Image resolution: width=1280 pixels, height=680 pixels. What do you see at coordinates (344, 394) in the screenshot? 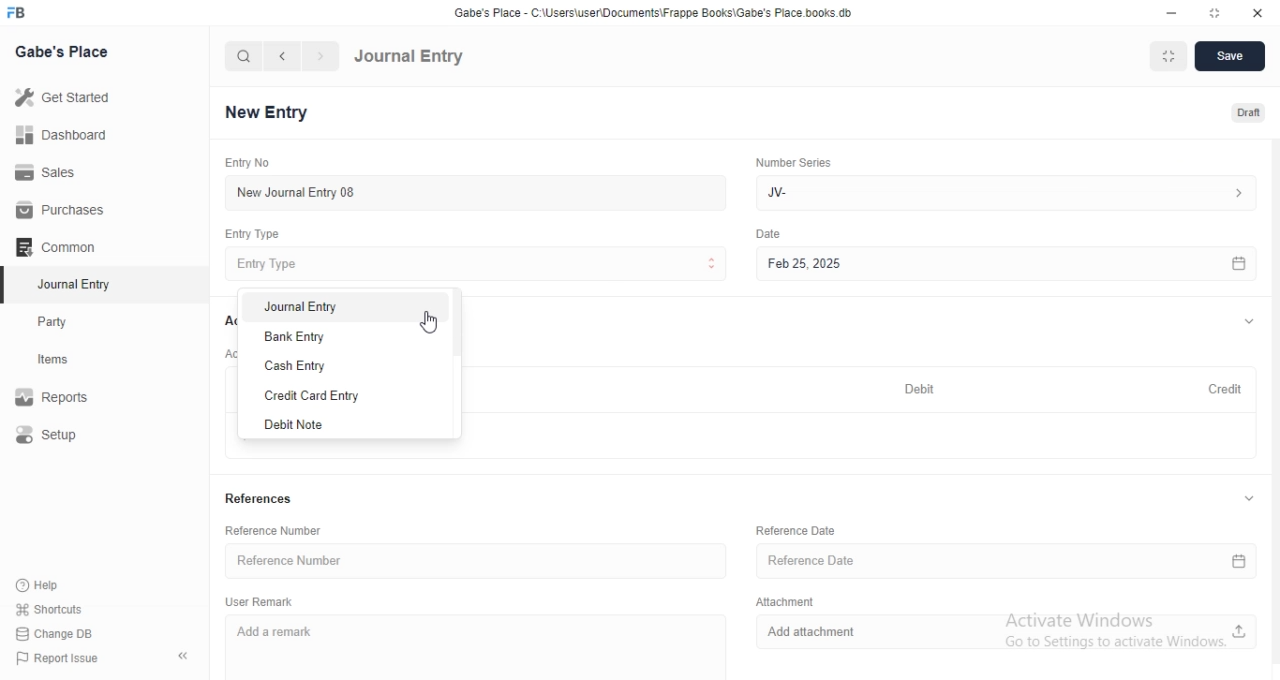
I see `Credit Card Entry` at bounding box center [344, 394].